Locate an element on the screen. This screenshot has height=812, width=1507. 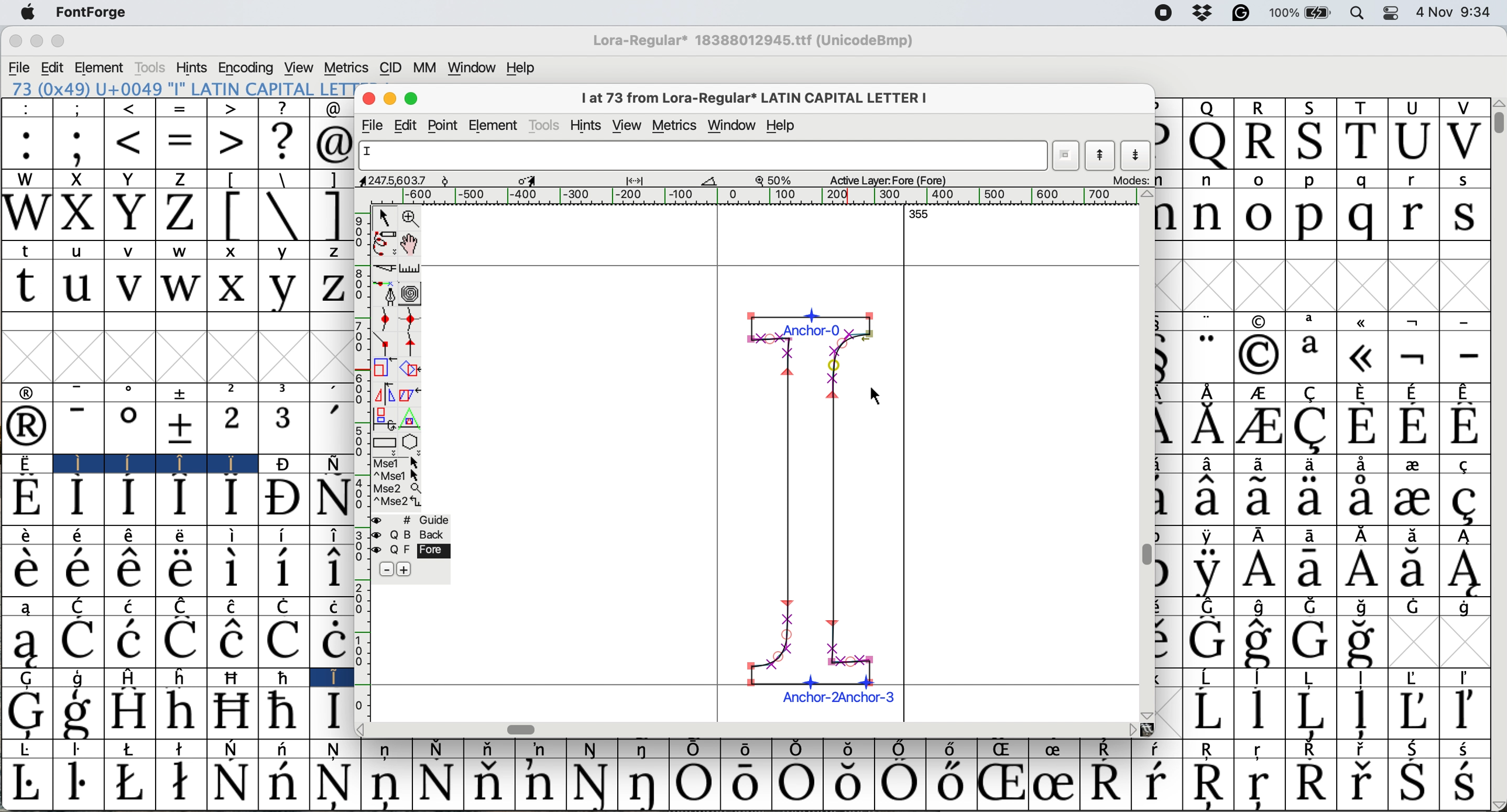
< is located at coordinates (130, 144).